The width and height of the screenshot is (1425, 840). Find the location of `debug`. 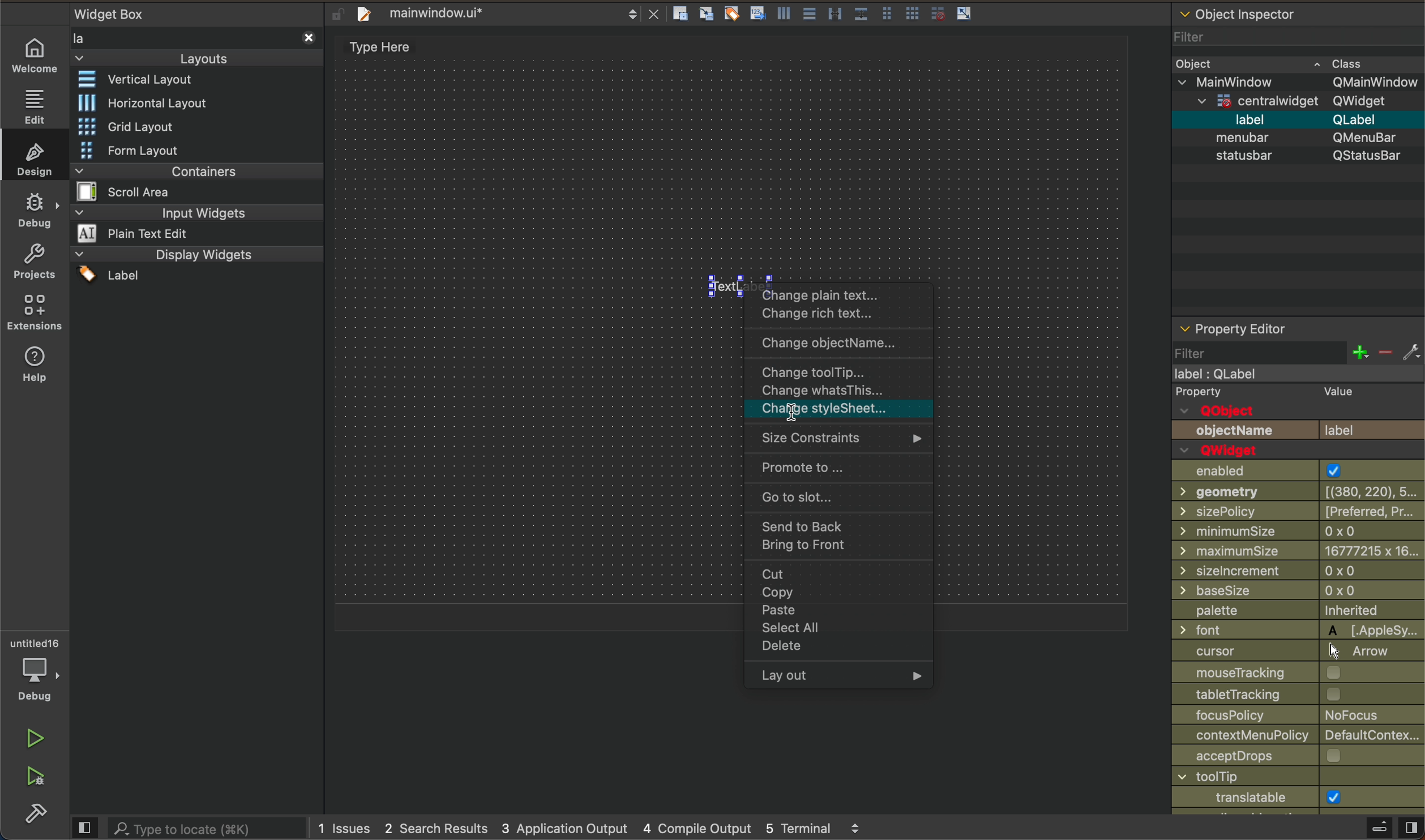

debug is located at coordinates (32, 674).